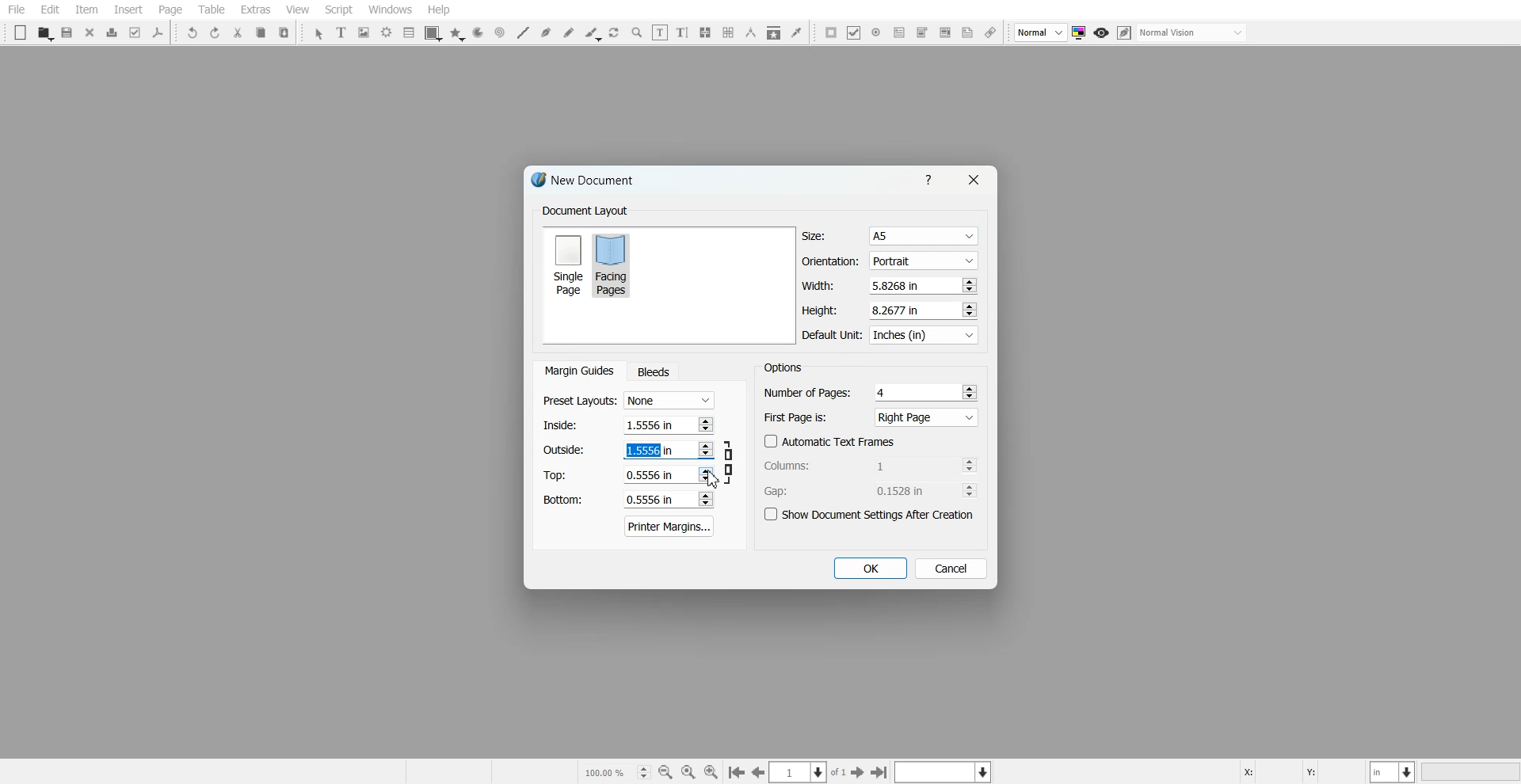 The height and width of the screenshot is (784, 1521). I want to click on Extras, so click(255, 10).